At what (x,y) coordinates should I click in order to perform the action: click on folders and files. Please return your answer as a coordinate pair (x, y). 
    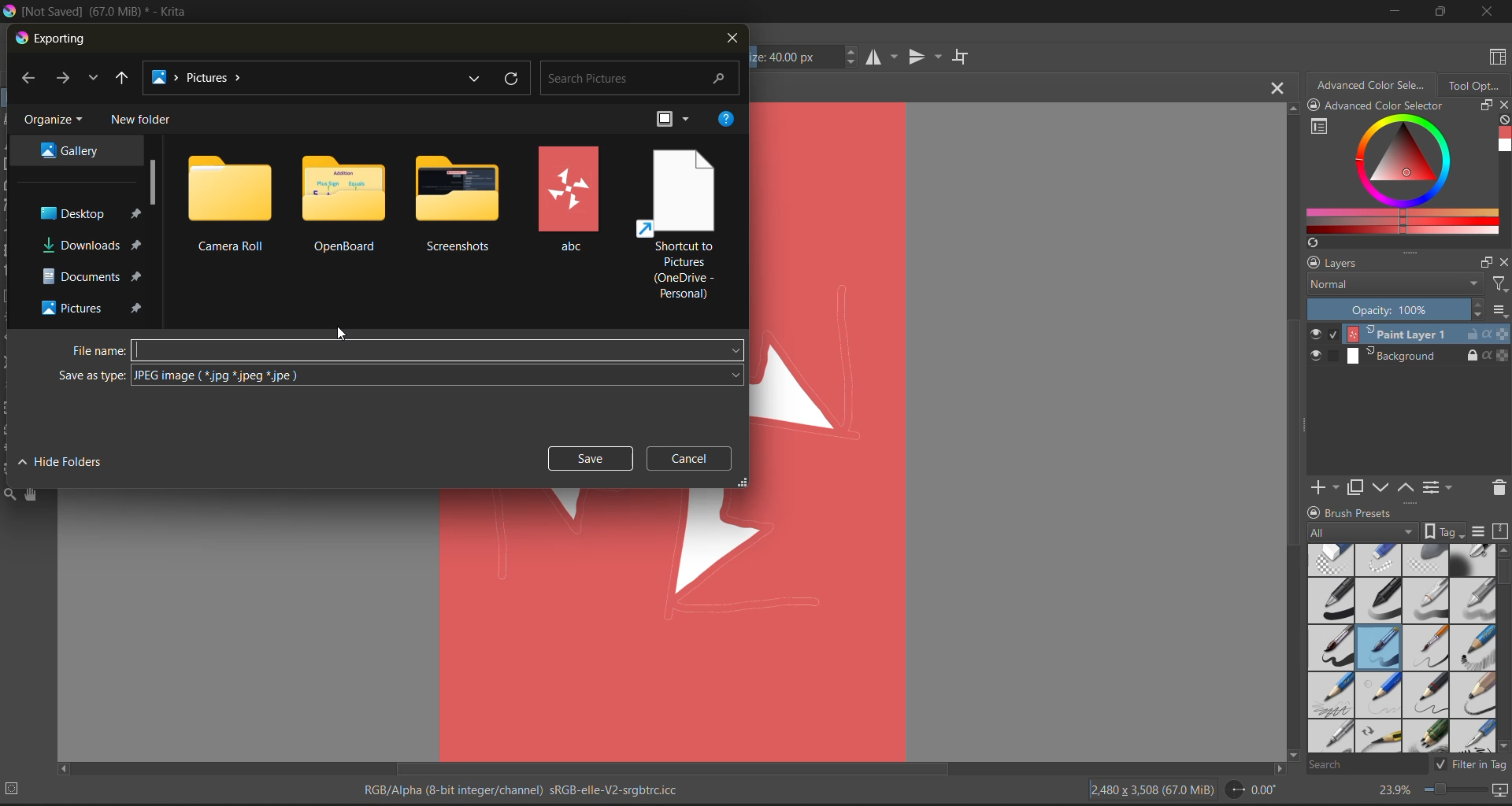
    Looking at the image, I should click on (572, 198).